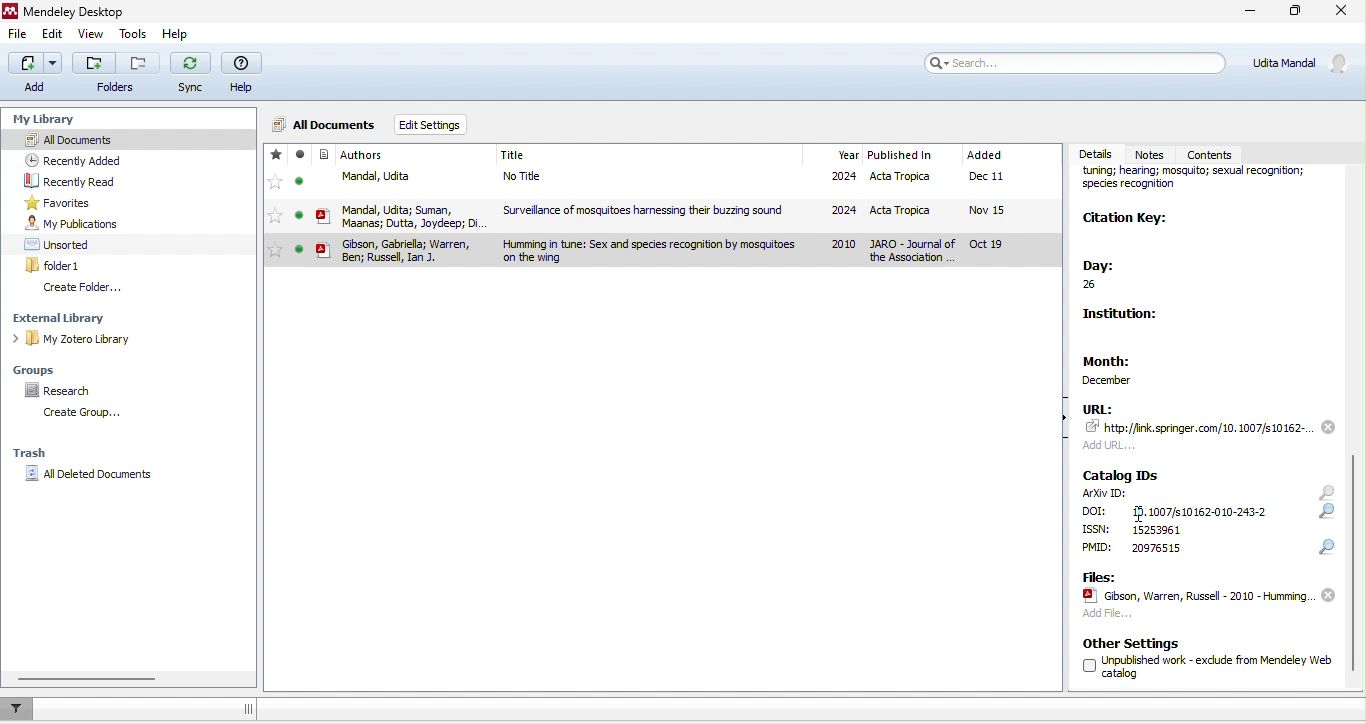  Describe the element at coordinates (78, 413) in the screenshot. I see `create group` at that location.